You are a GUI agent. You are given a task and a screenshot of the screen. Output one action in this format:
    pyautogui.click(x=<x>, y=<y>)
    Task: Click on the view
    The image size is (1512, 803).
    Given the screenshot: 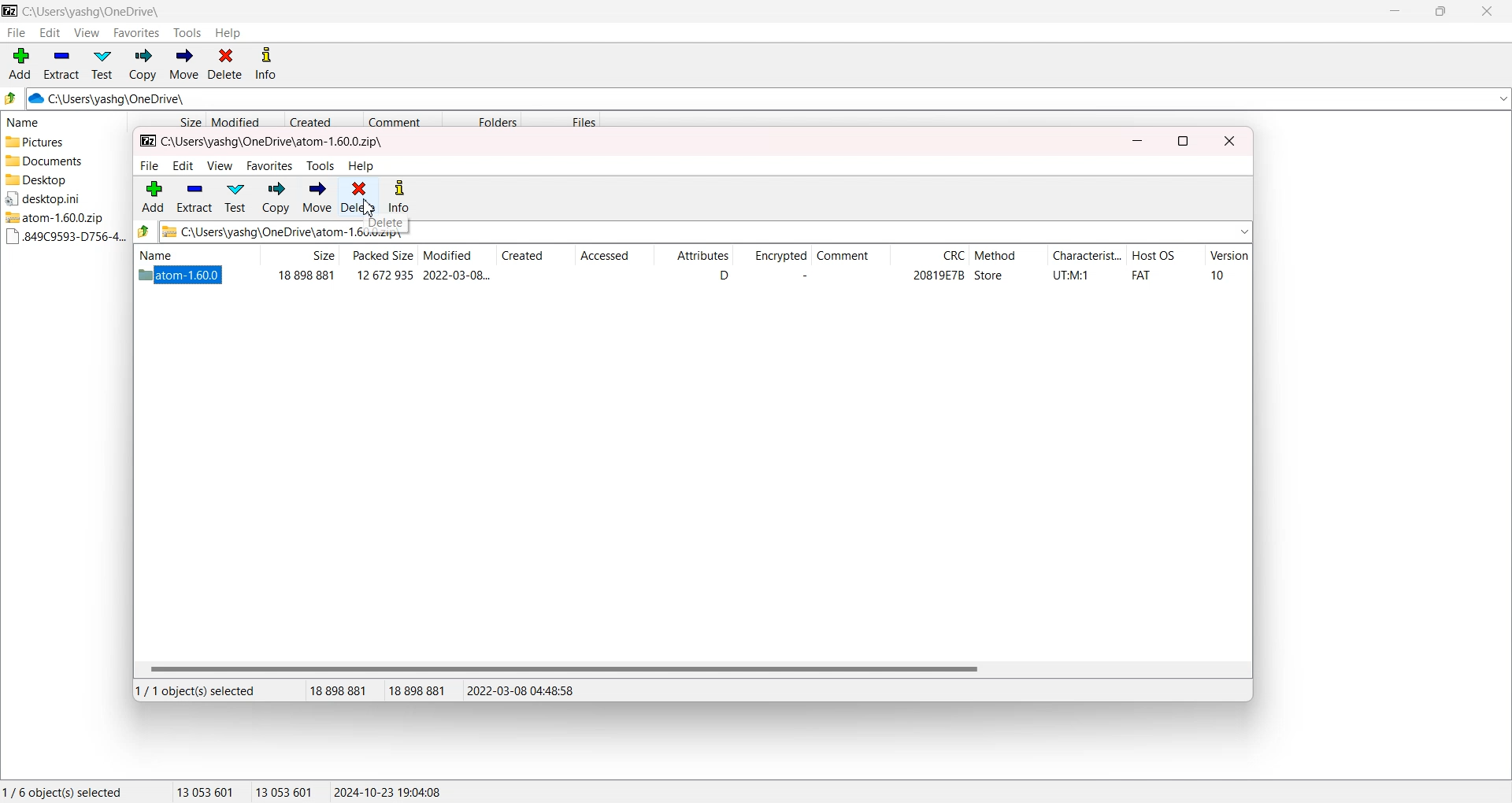 What is the action you would take?
    pyautogui.click(x=220, y=166)
    